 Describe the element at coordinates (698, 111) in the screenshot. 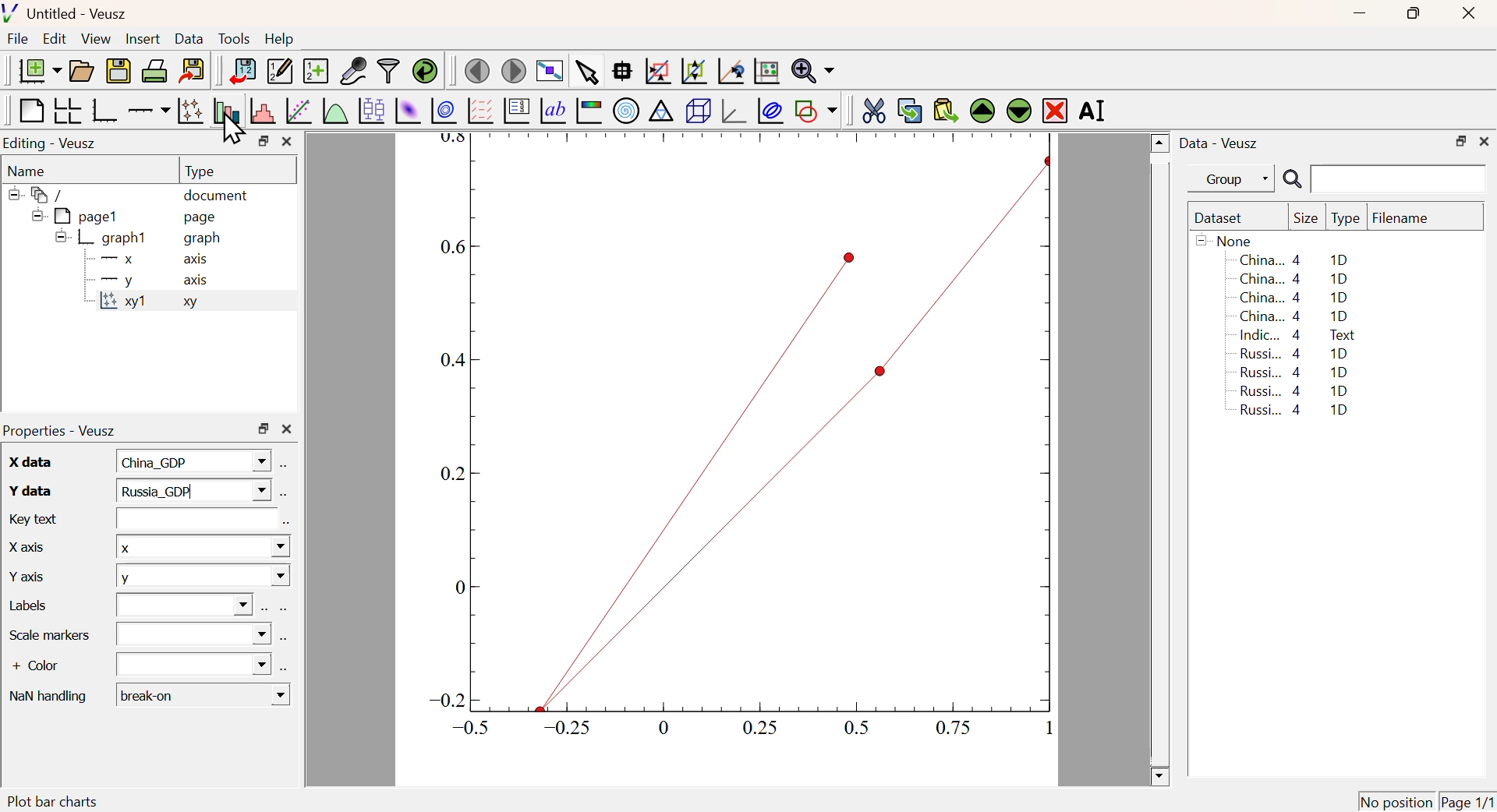

I see `3D Scene` at that location.